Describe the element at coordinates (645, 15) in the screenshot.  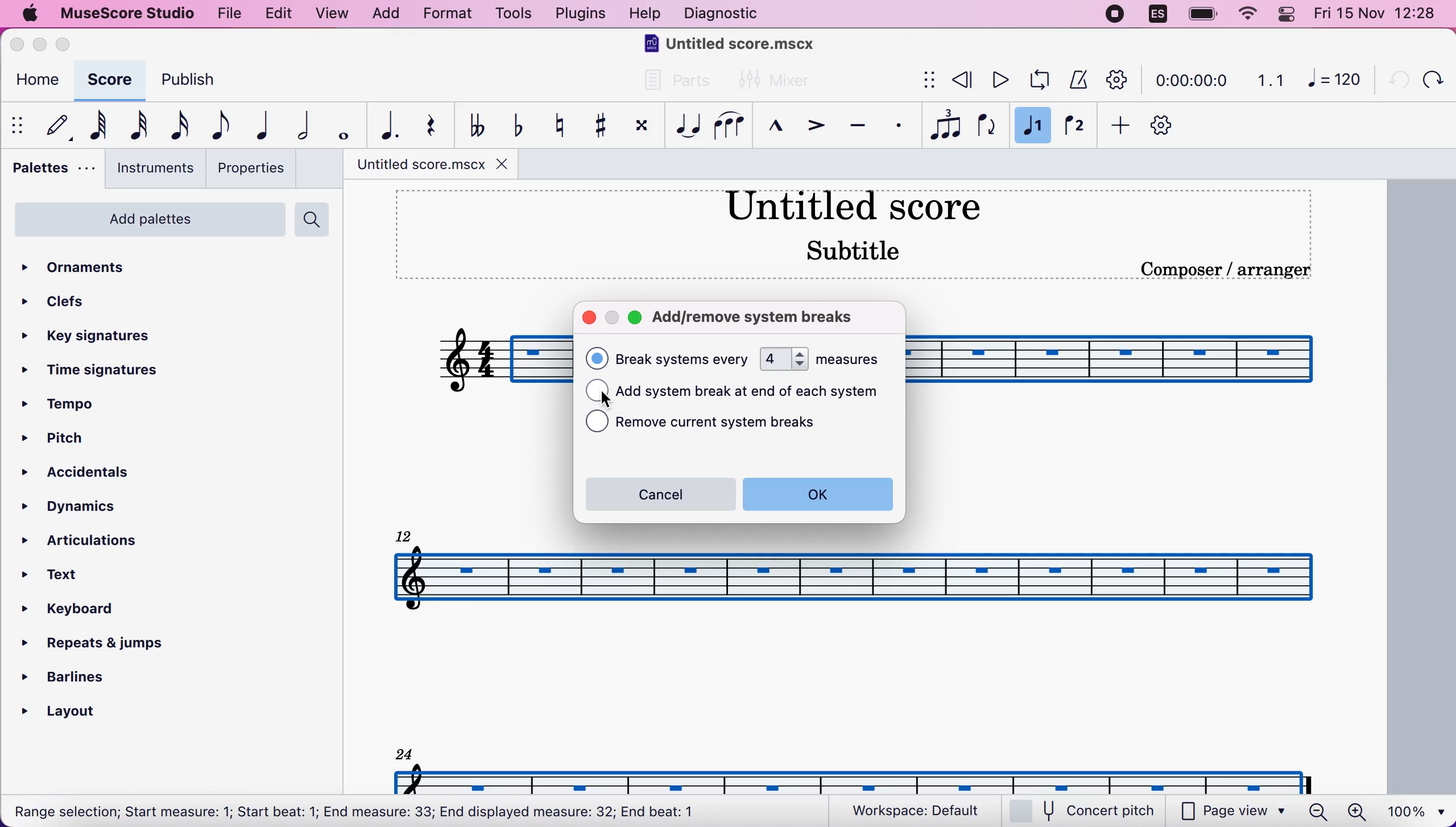
I see `help` at that location.